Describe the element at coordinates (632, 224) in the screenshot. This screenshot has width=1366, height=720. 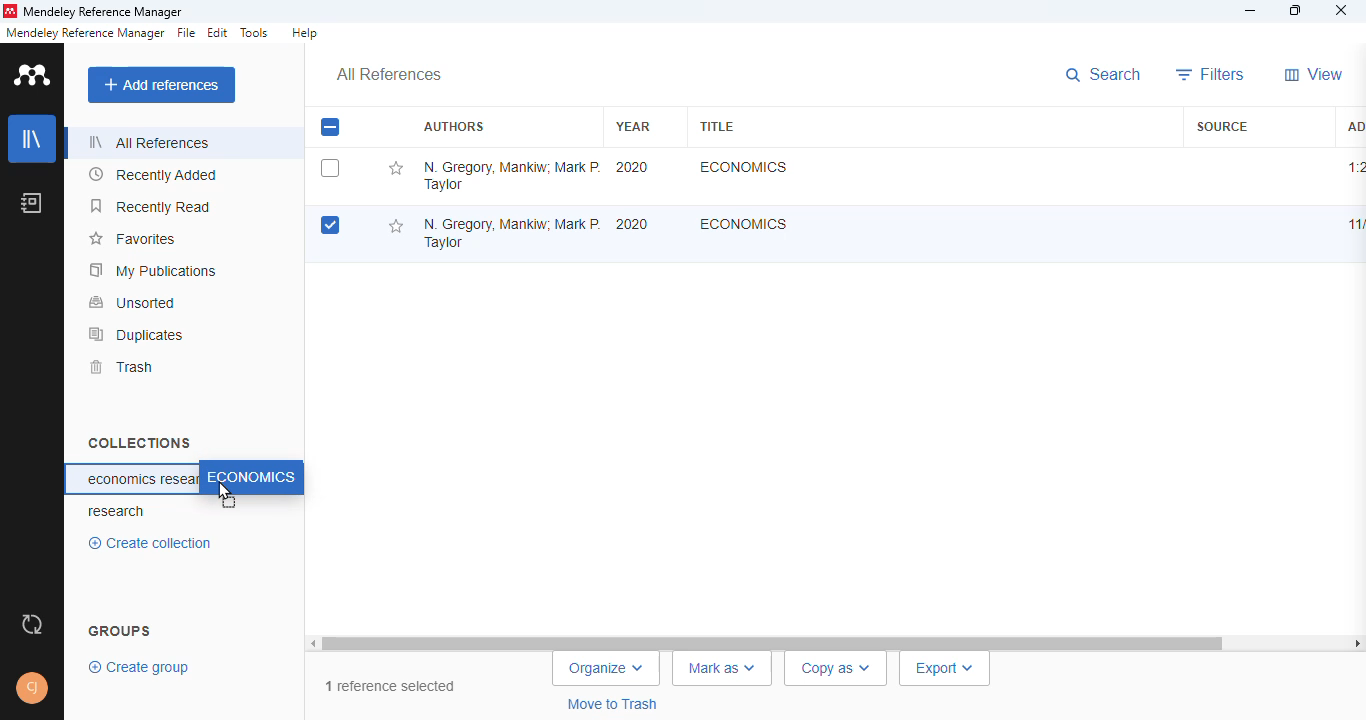
I see `2020` at that location.